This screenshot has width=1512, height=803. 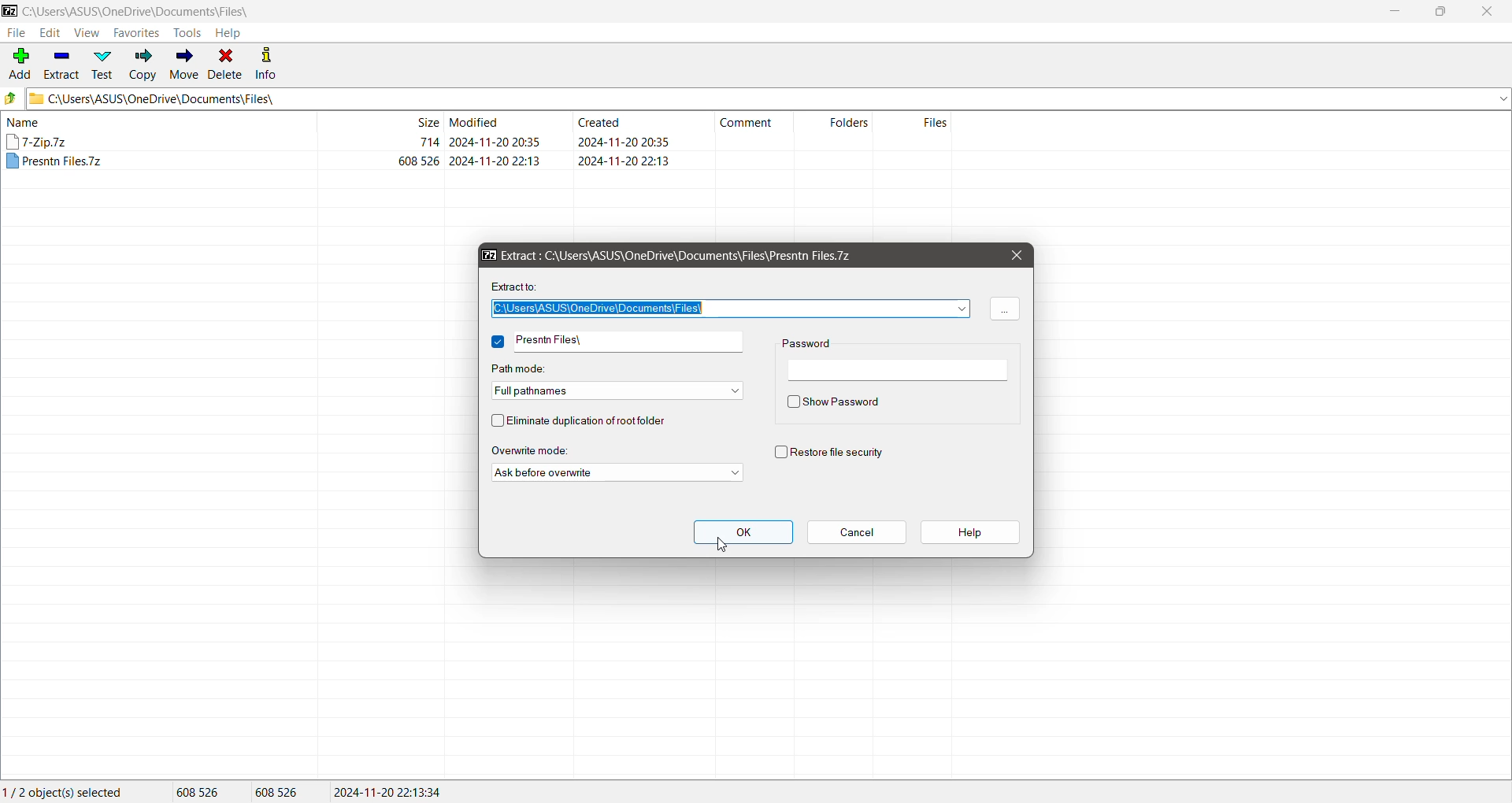 What do you see at coordinates (19, 62) in the screenshot?
I see `Add` at bounding box center [19, 62].